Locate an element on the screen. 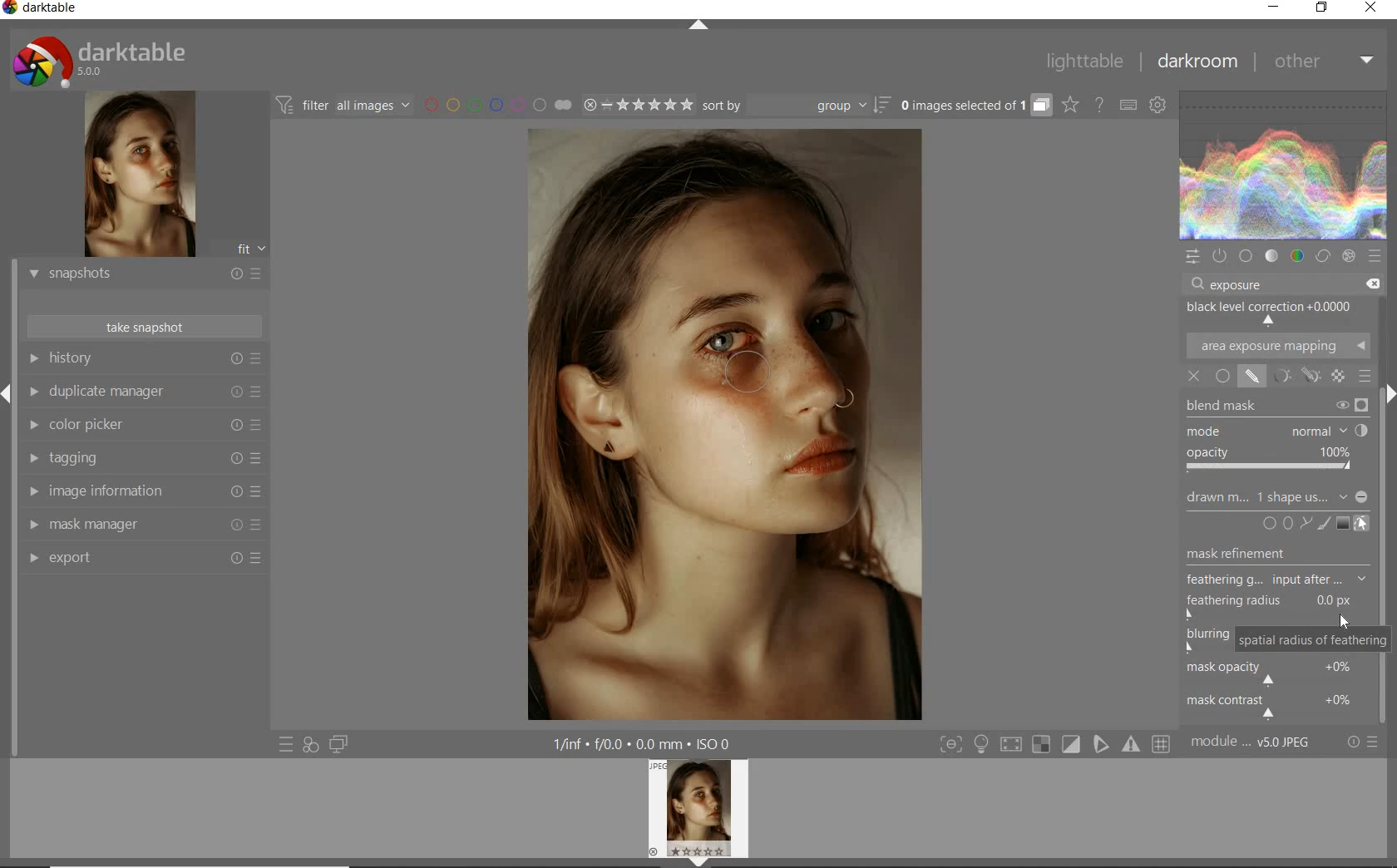 Image resolution: width=1397 pixels, height=868 pixels. ADD BRUSH is located at coordinates (1322, 525).